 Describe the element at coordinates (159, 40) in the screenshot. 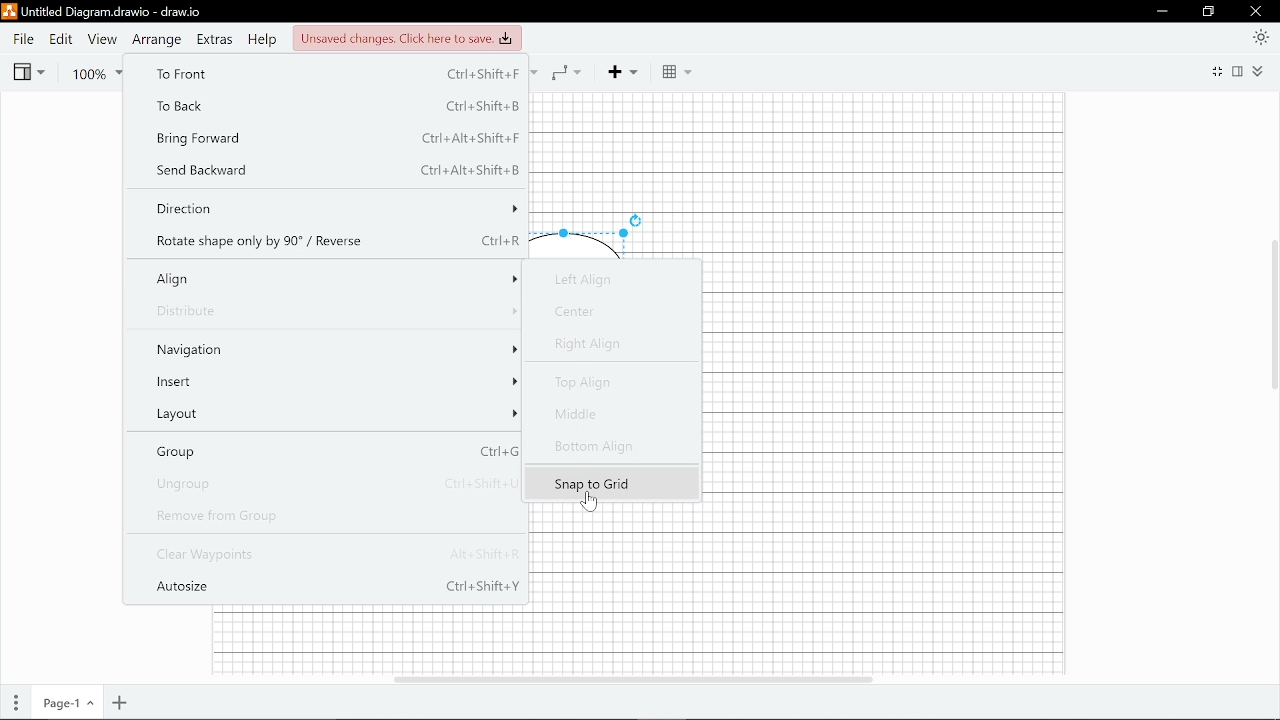

I see `Arrange` at that location.